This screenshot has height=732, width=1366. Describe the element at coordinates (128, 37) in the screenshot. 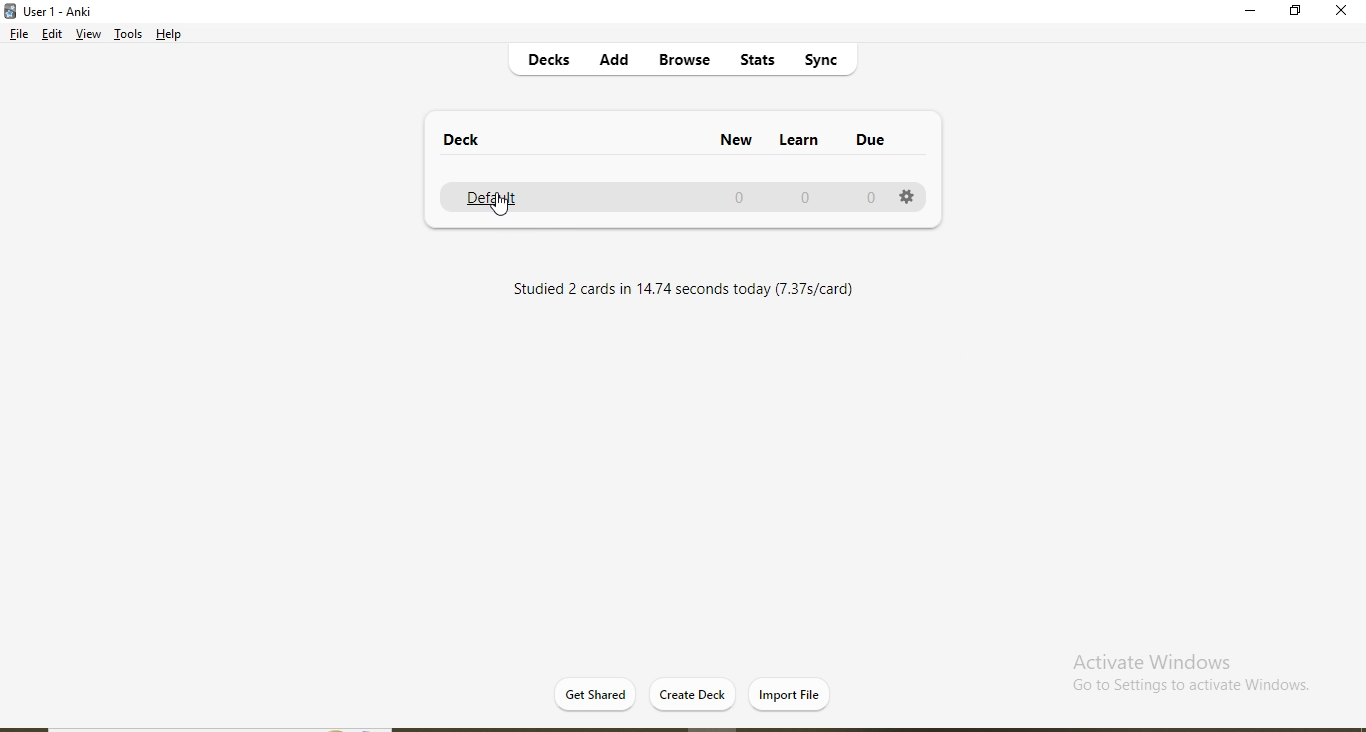

I see `tools` at that location.